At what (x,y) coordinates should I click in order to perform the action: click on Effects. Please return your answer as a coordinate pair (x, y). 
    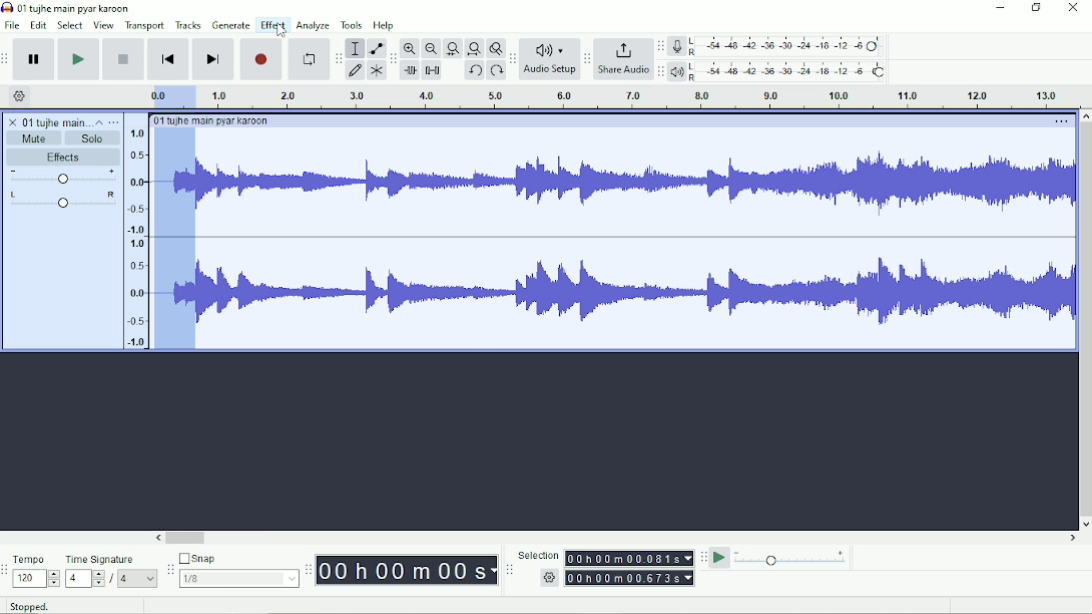
    Looking at the image, I should click on (63, 158).